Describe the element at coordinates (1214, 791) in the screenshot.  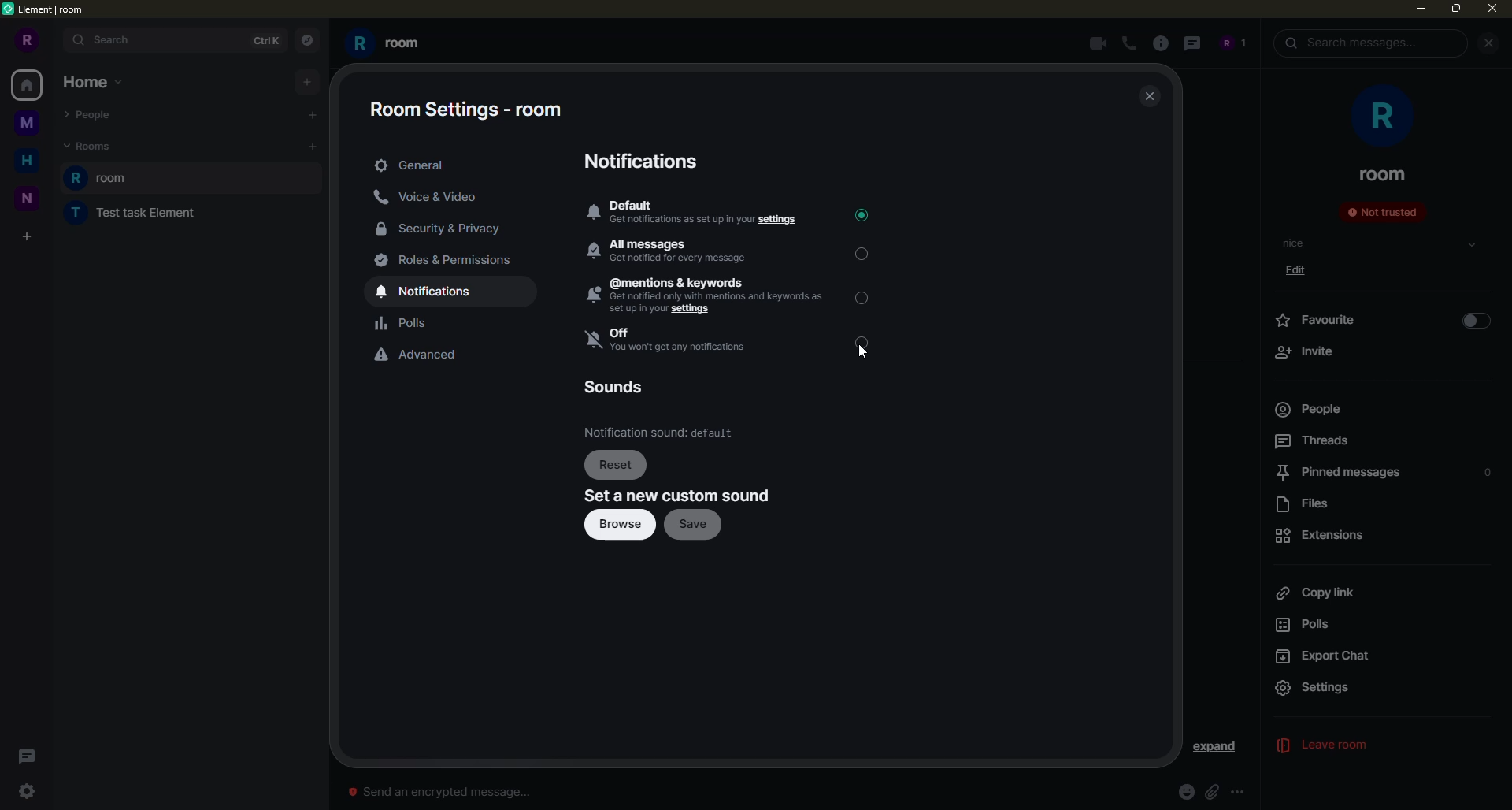
I see `attachment` at that location.